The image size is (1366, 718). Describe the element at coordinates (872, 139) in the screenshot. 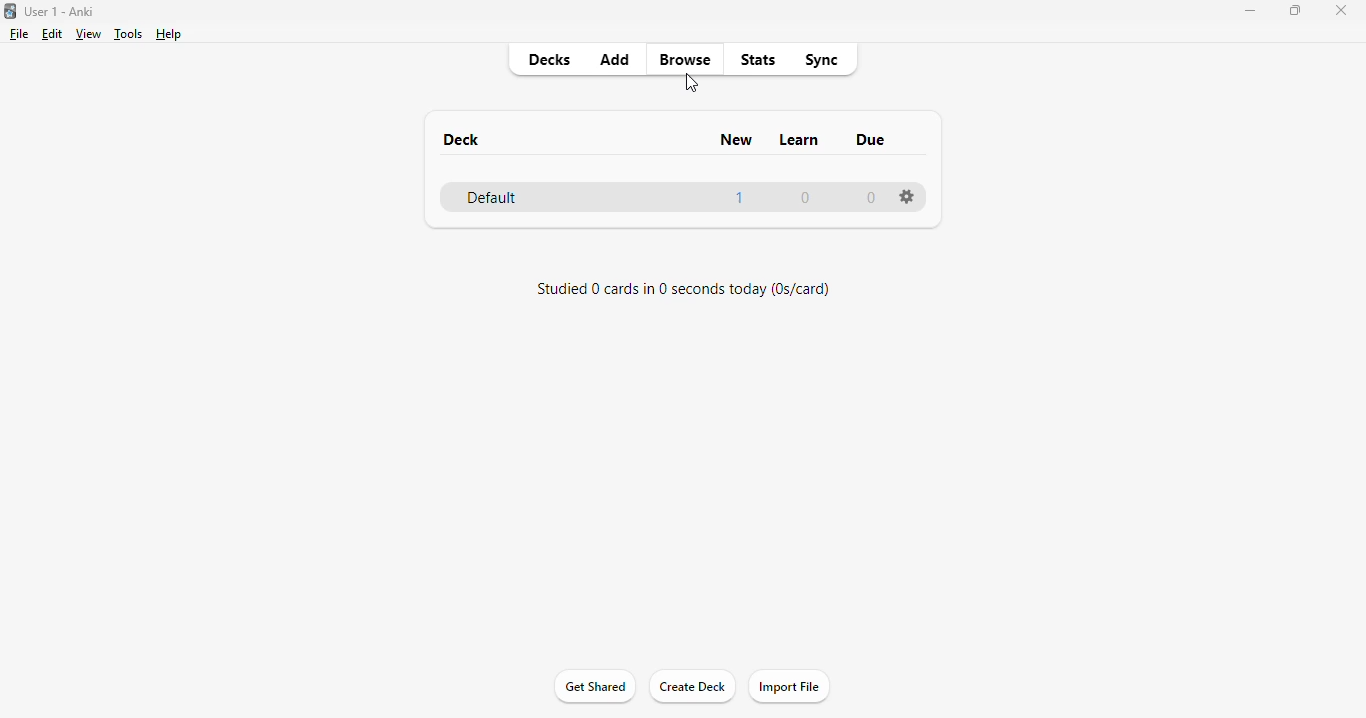

I see `due` at that location.